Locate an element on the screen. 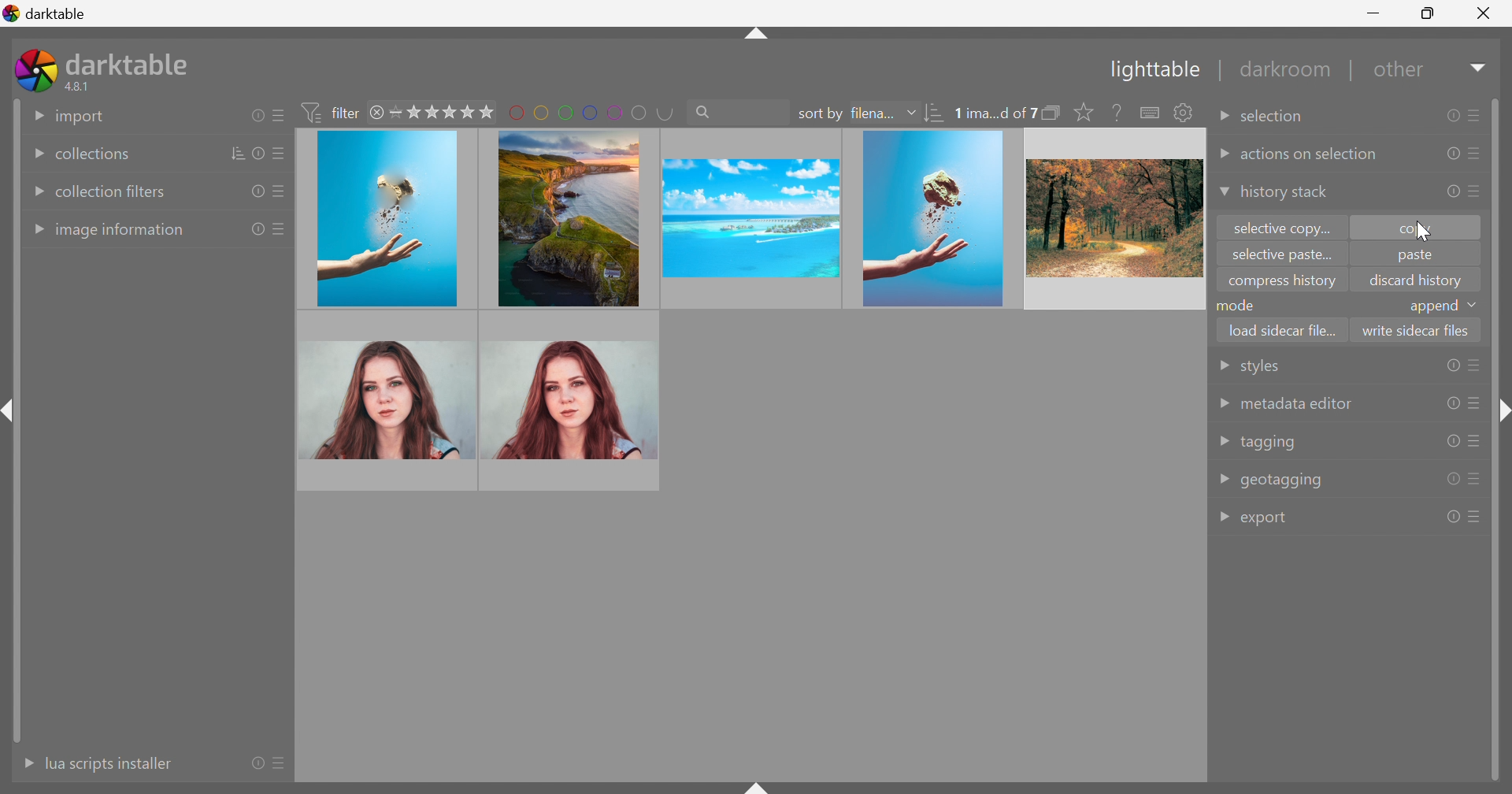 The image size is (1512, 794). shift+ctrl+r is located at coordinates (1501, 414).